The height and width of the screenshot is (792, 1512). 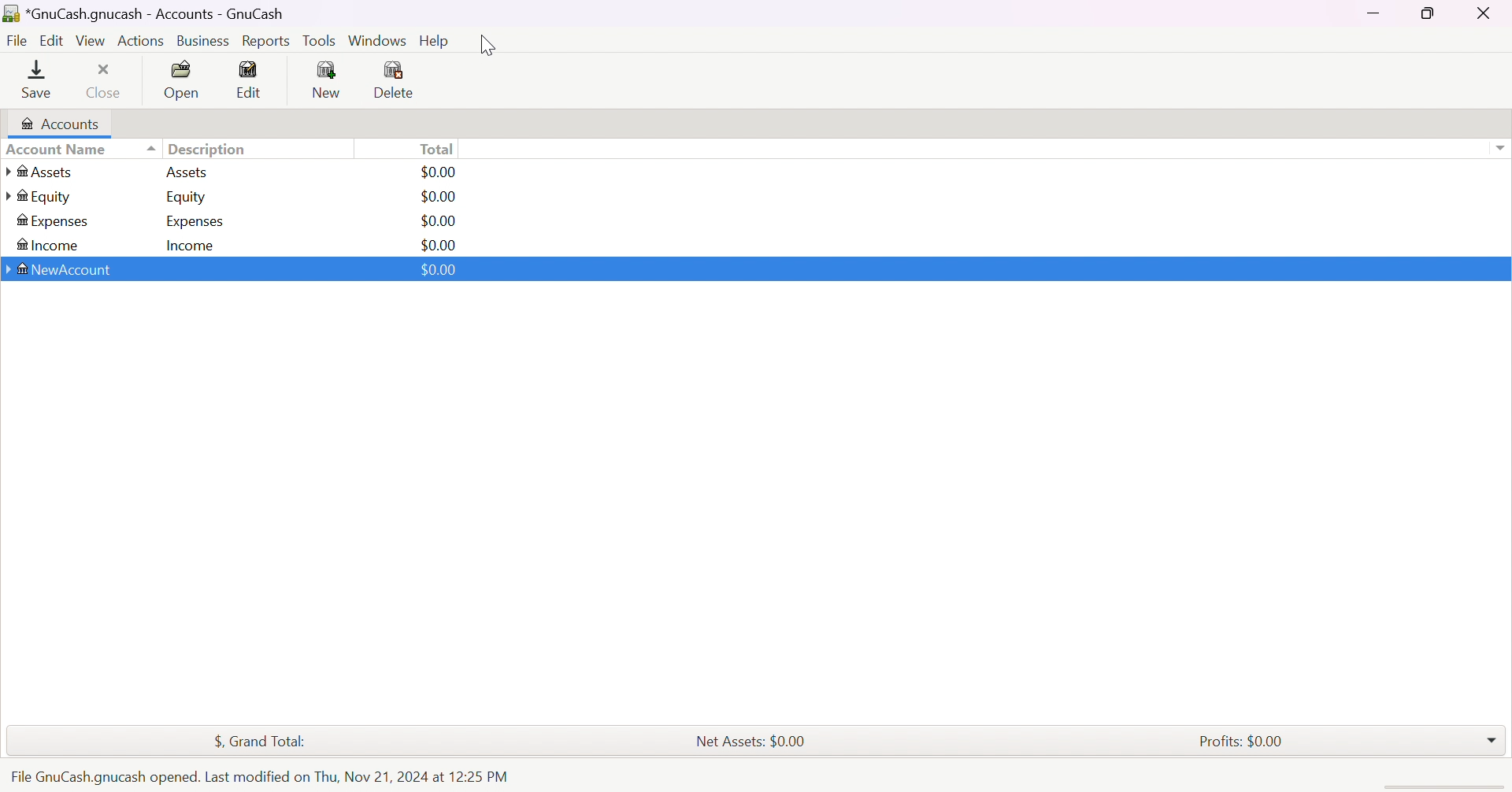 What do you see at coordinates (63, 269) in the screenshot?
I see `NewAccount` at bounding box center [63, 269].